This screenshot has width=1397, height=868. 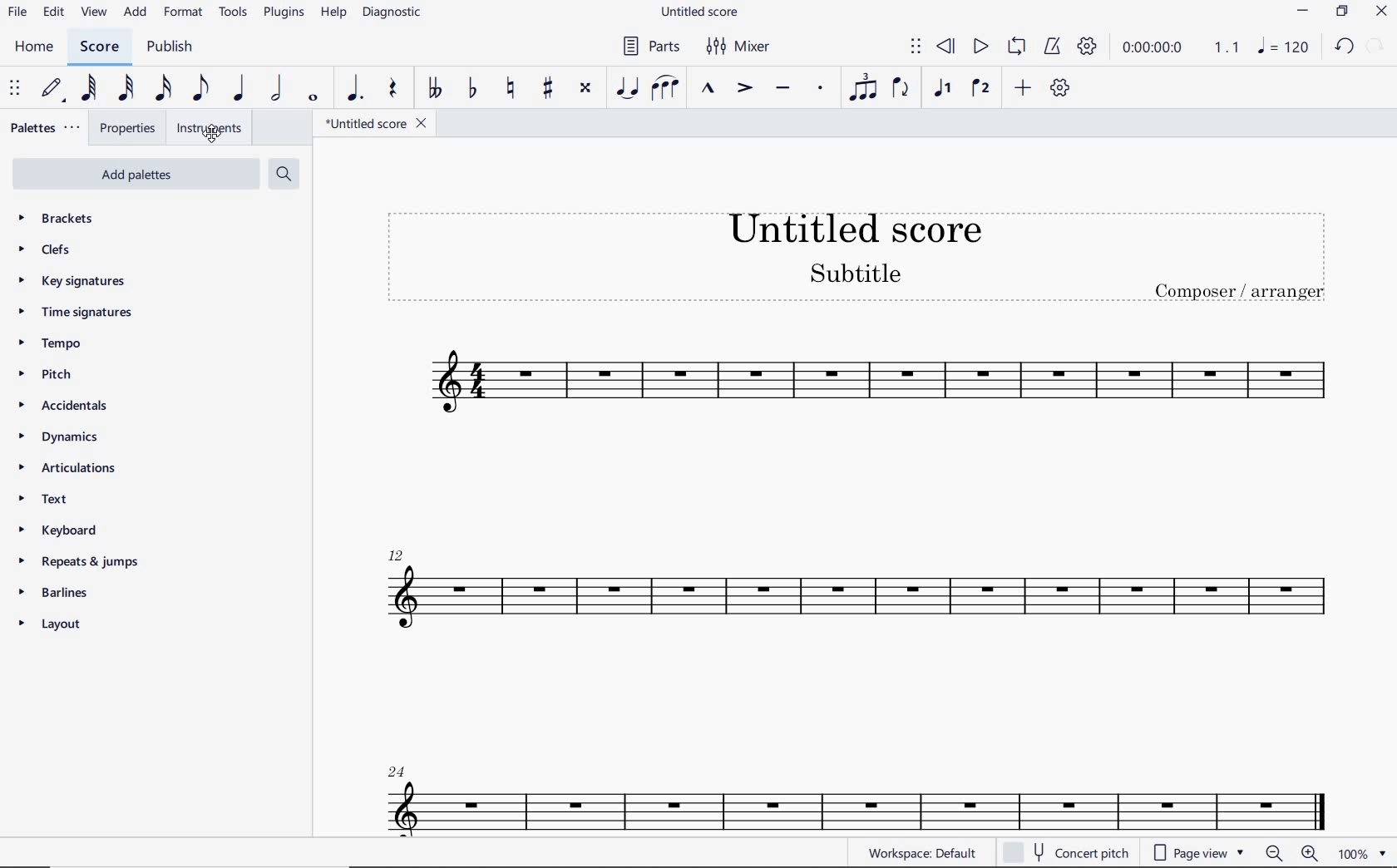 What do you see at coordinates (100, 47) in the screenshot?
I see `score` at bounding box center [100, 47].